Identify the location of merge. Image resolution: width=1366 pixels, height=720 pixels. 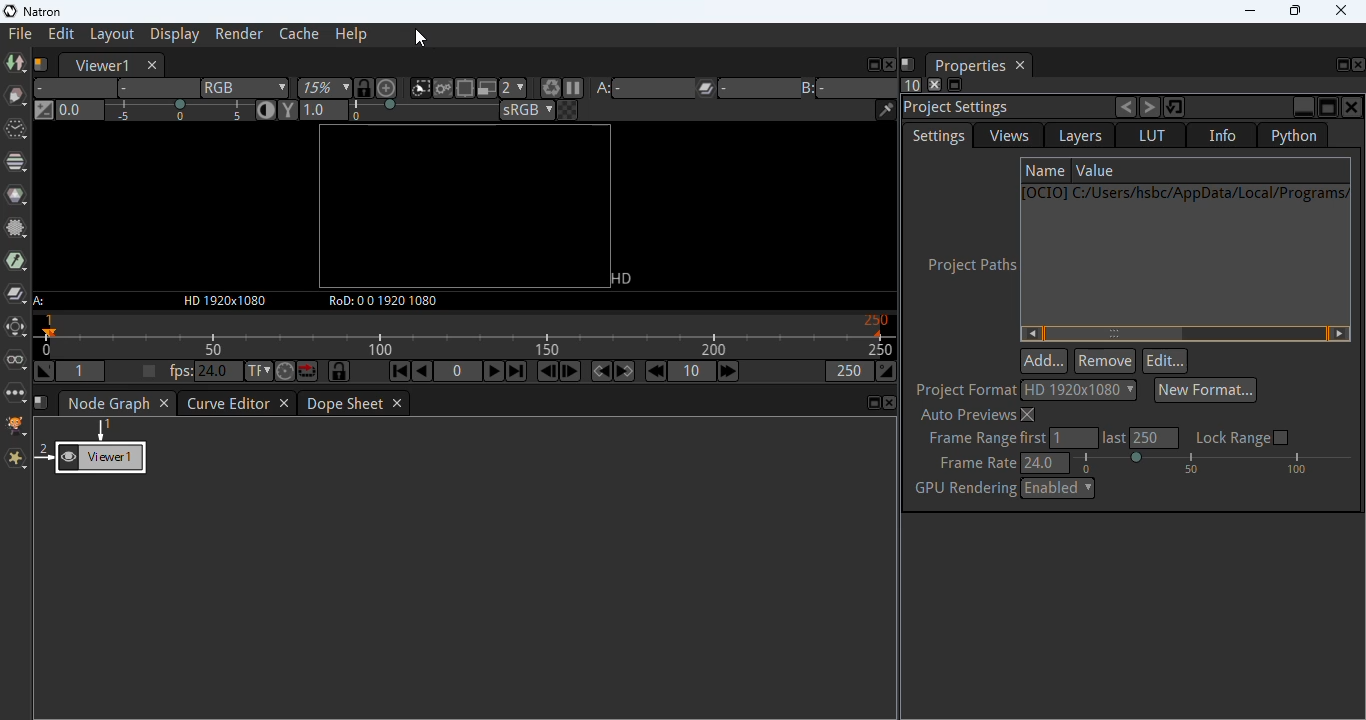
(15, 293).